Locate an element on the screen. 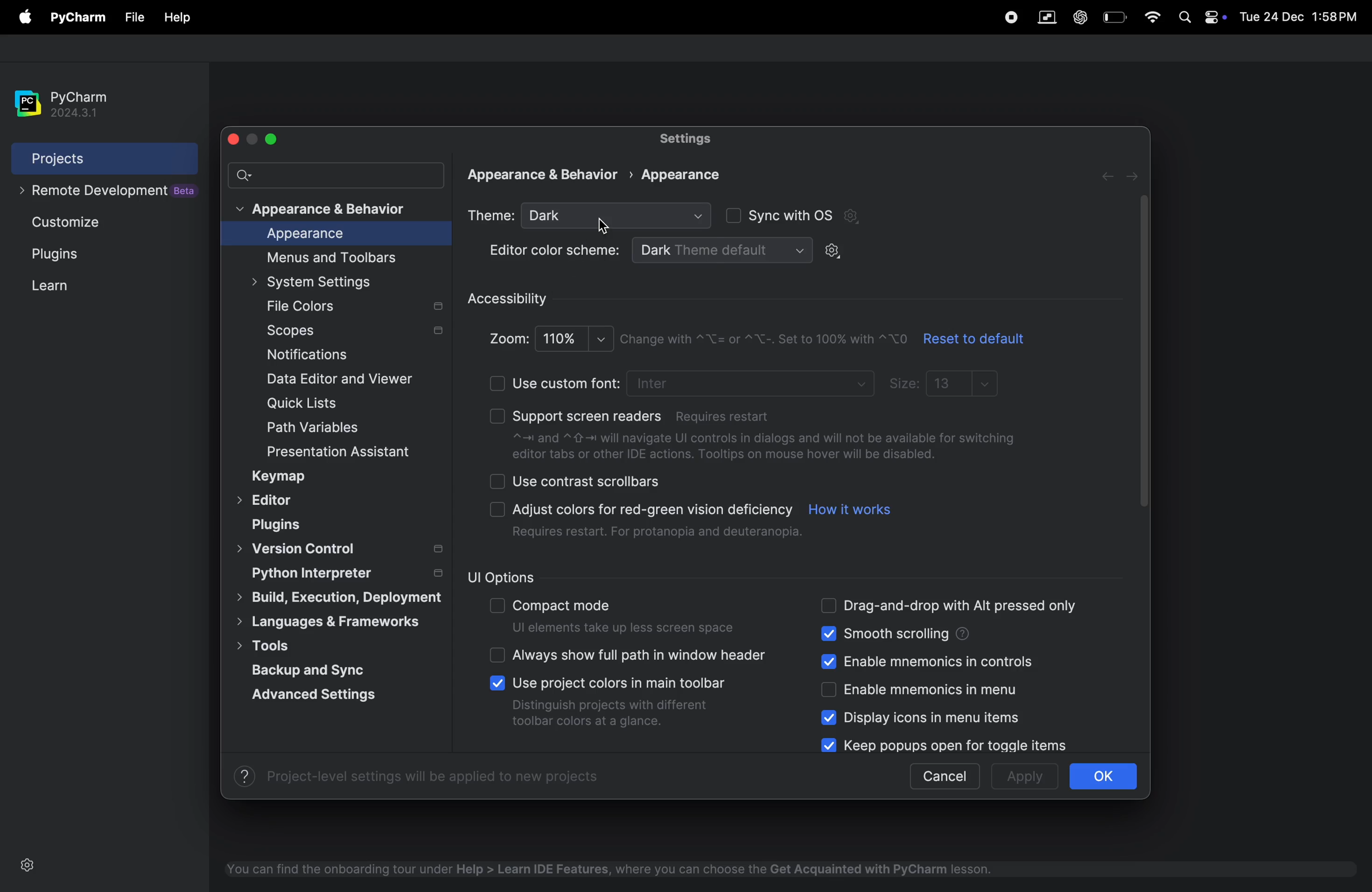  Appearance & Behavior  is located at coordinates (546, 174).